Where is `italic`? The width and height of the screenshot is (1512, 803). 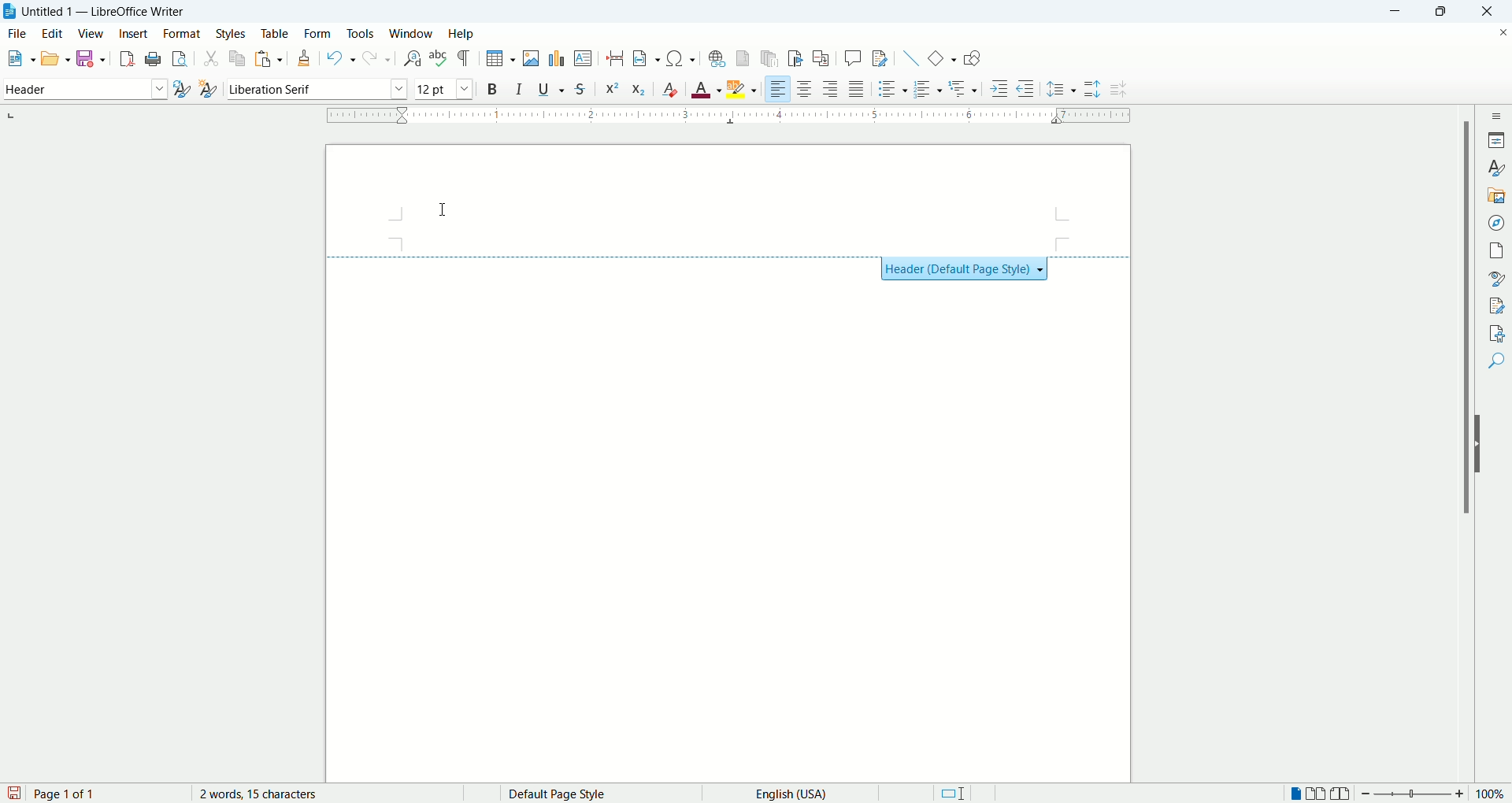
italic is located at coordinates (516, 90).